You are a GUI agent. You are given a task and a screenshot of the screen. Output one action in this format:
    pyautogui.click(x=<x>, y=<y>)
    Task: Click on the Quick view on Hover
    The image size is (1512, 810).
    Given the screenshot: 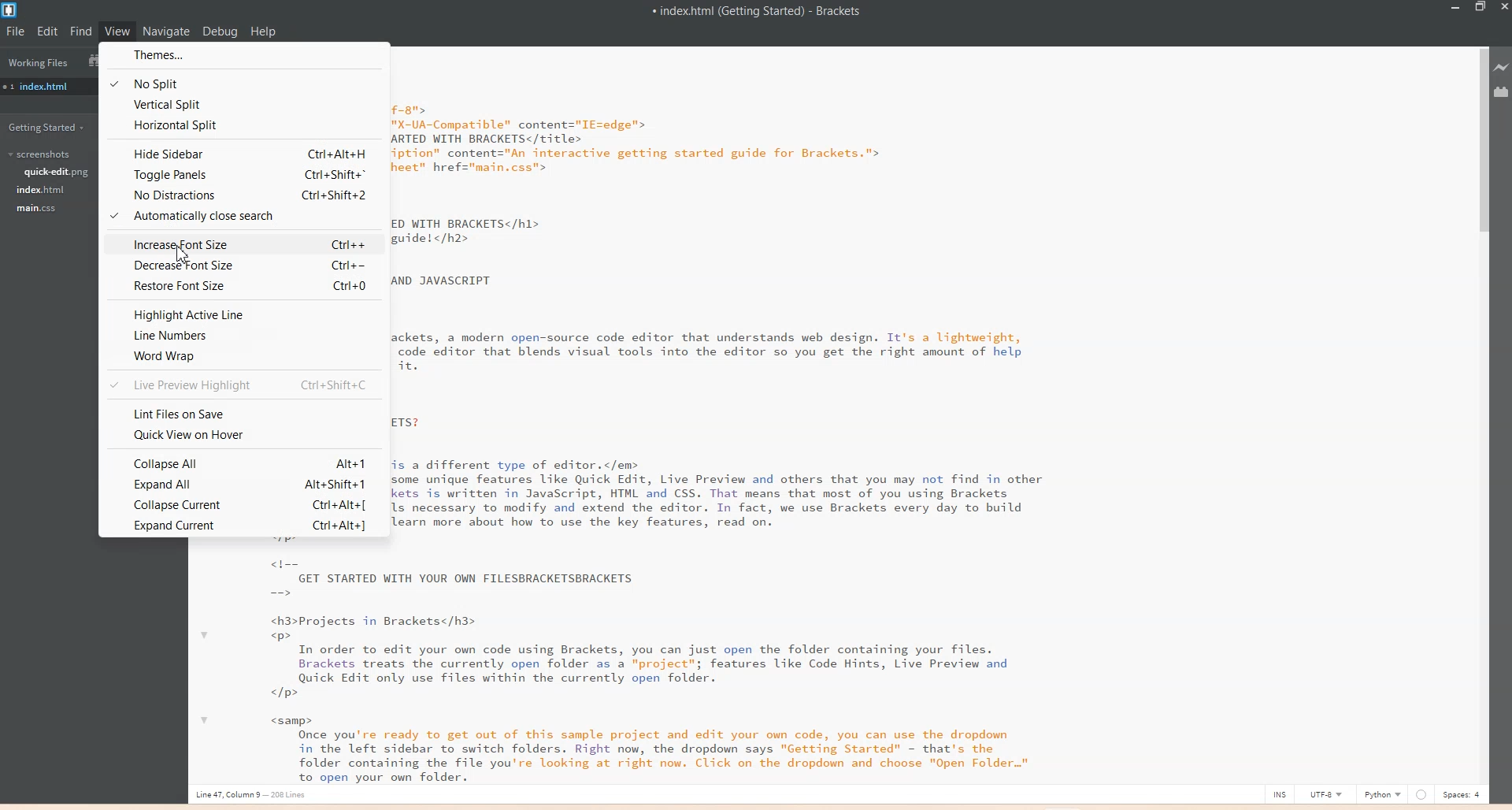 What is the action you would take?
    pyautogui.click(x=243, y=436)
    